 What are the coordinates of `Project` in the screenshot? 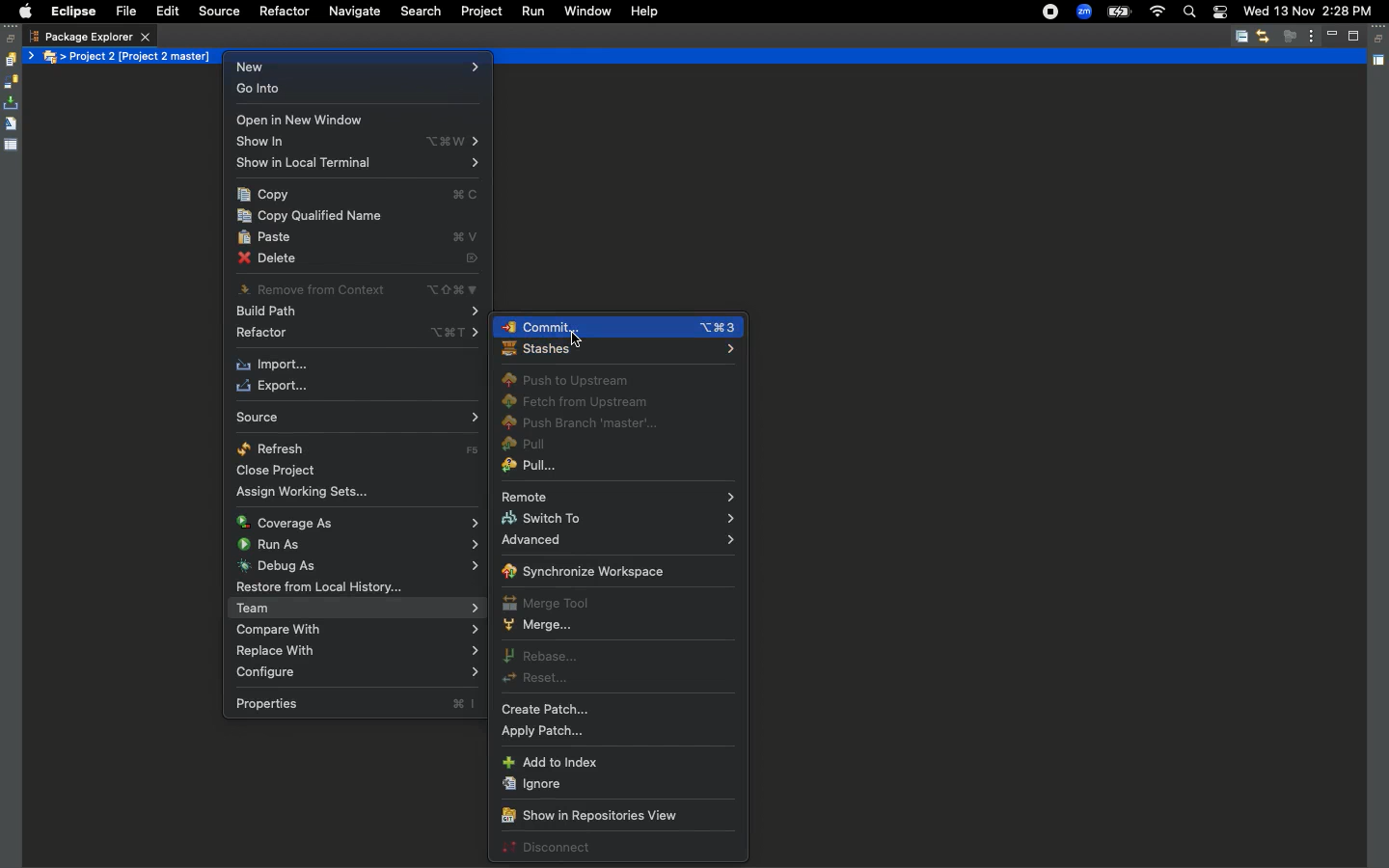 It's located at (477, 12).